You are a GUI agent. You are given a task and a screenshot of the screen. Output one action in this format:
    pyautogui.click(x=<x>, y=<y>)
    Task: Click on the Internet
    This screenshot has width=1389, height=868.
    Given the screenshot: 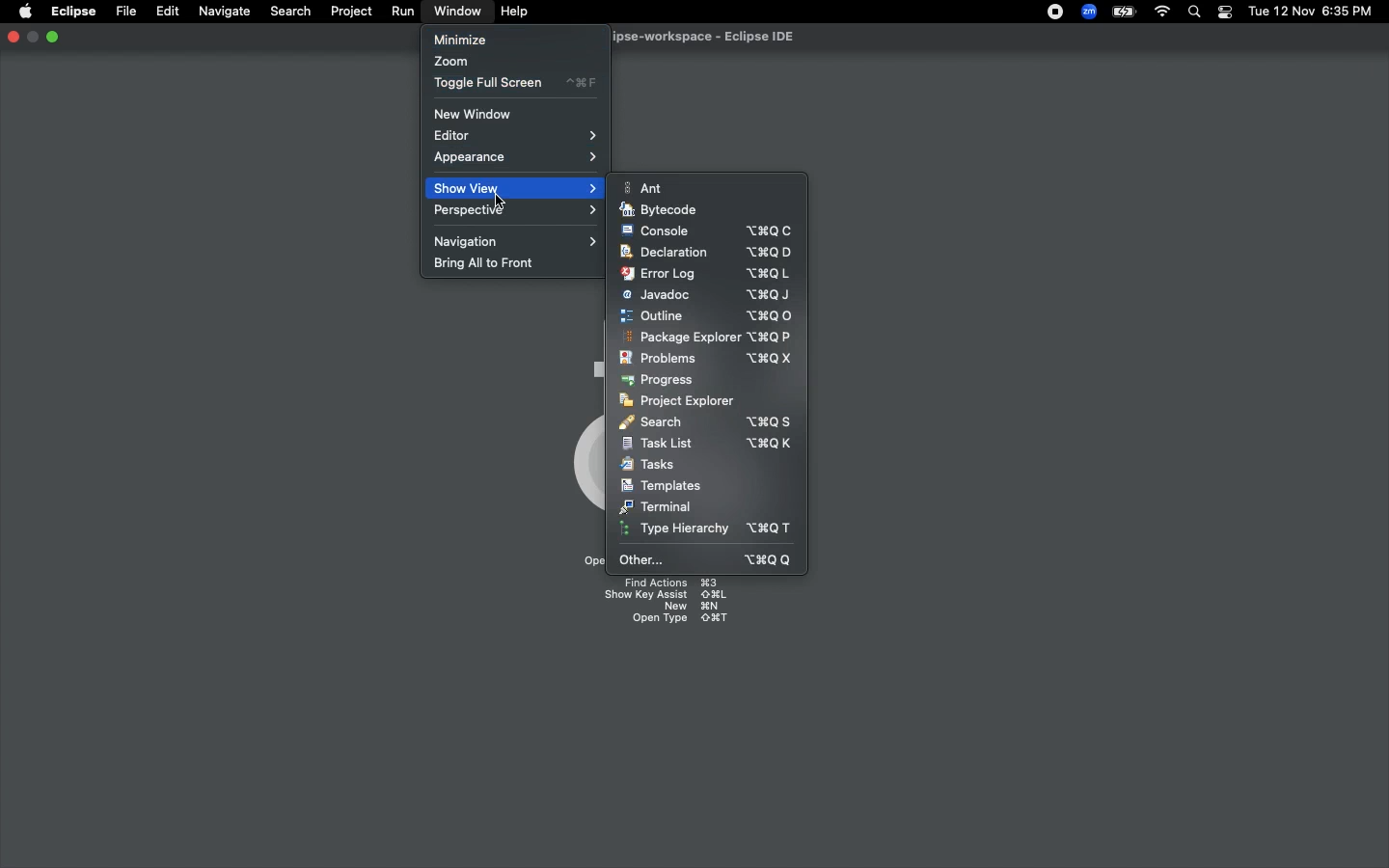 What is the action you would take?
    pyautogui.click(x=1162, y=13)
    